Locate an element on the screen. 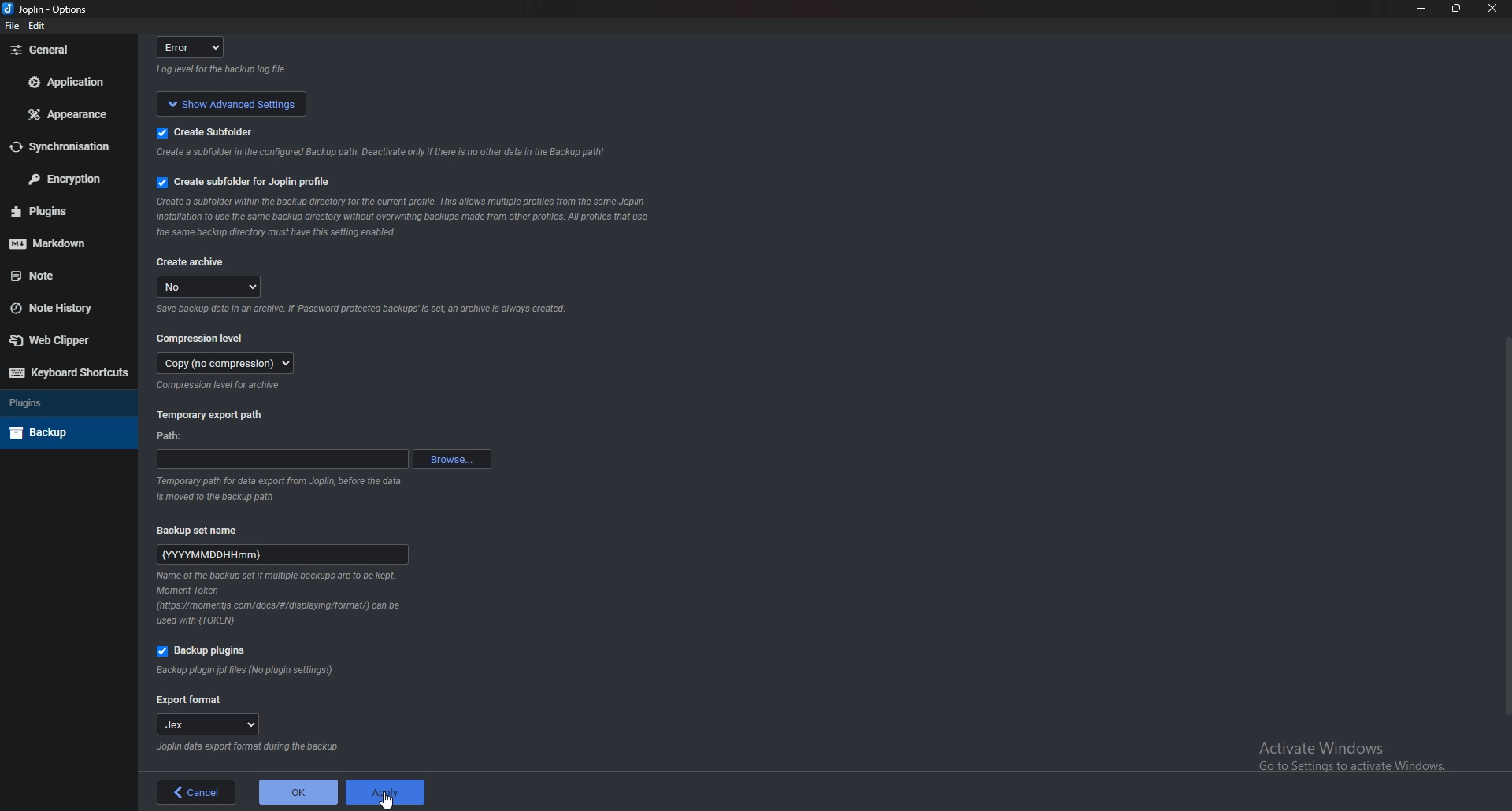 The image size is (1512, 811). Info is located at coordinates (222, 386).